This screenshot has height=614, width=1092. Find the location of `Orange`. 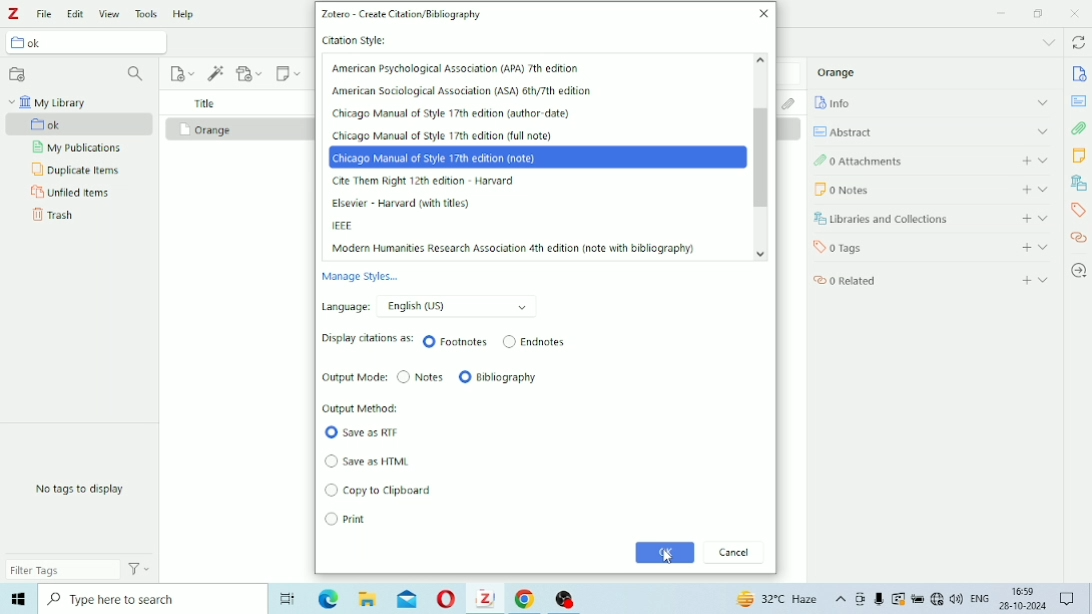

Orange is located at coordinates (837, 72).